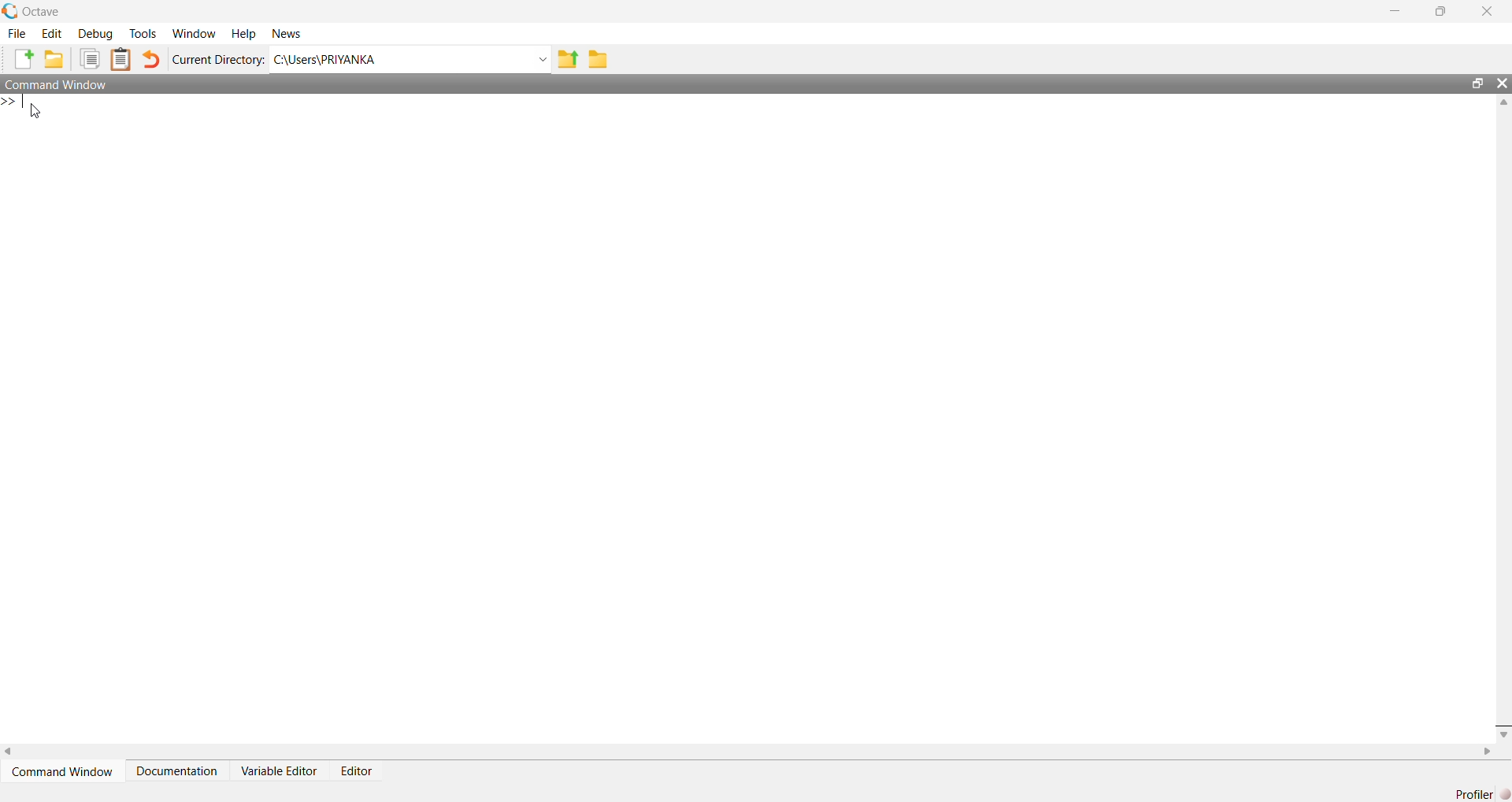  What do you see at coordinates (1488, 752) in the screenshot?
I see `scroll right` at bounding box center [1488, 752].